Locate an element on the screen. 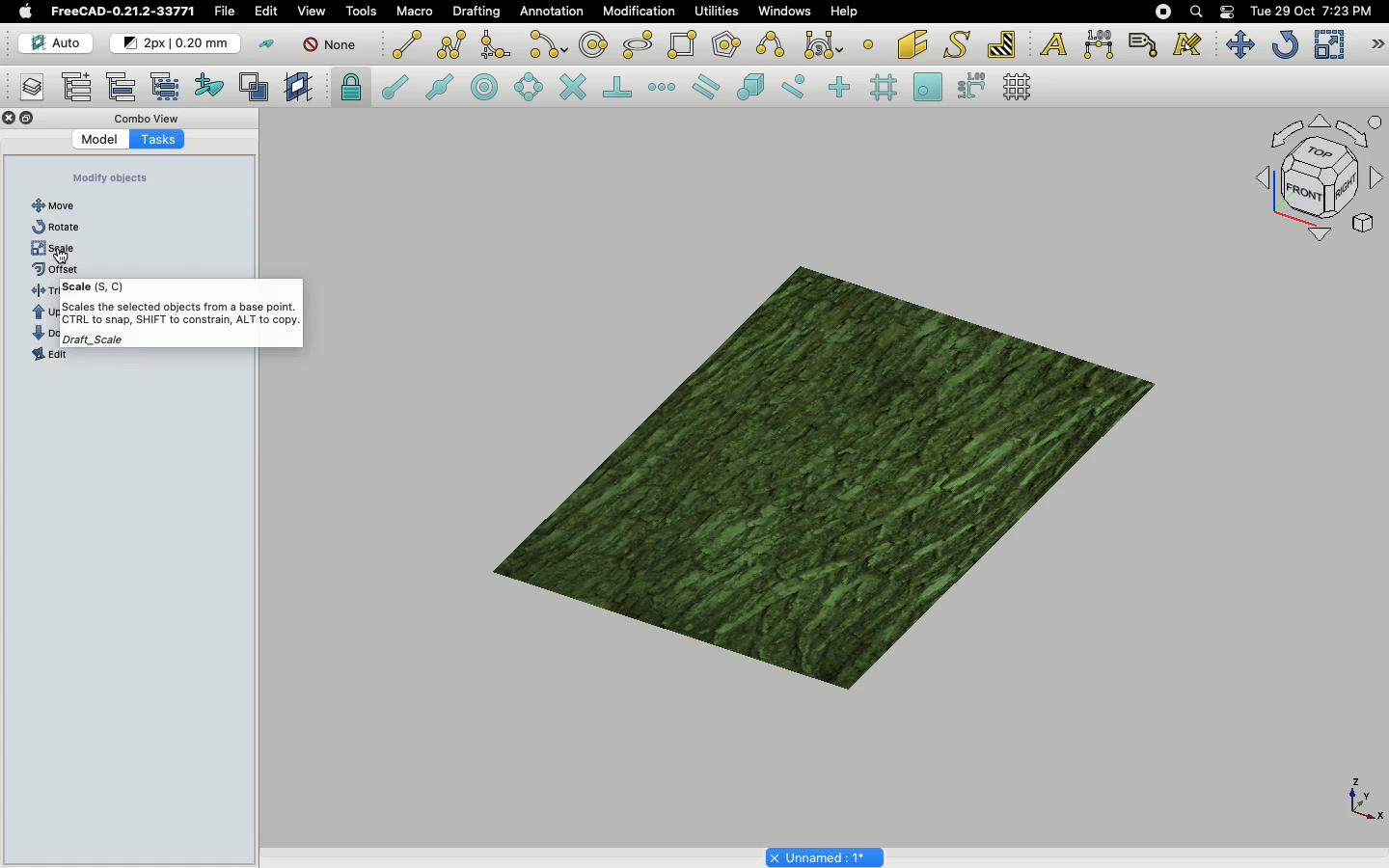 Image resolution: width=1389 pixels, height=868 pixels. Search is located at coordinates (1195, 12).